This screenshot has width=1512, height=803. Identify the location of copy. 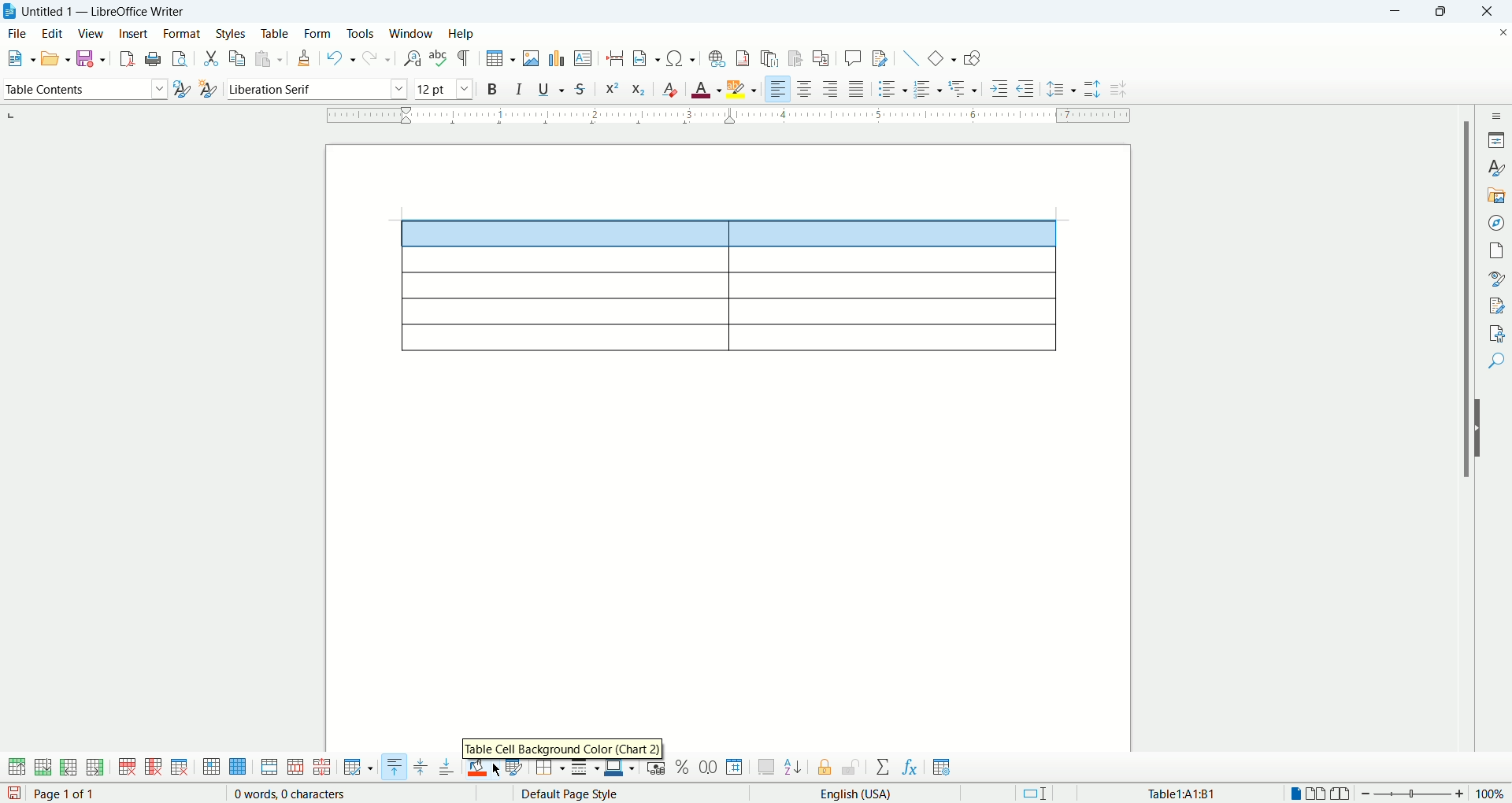
(239, 57).